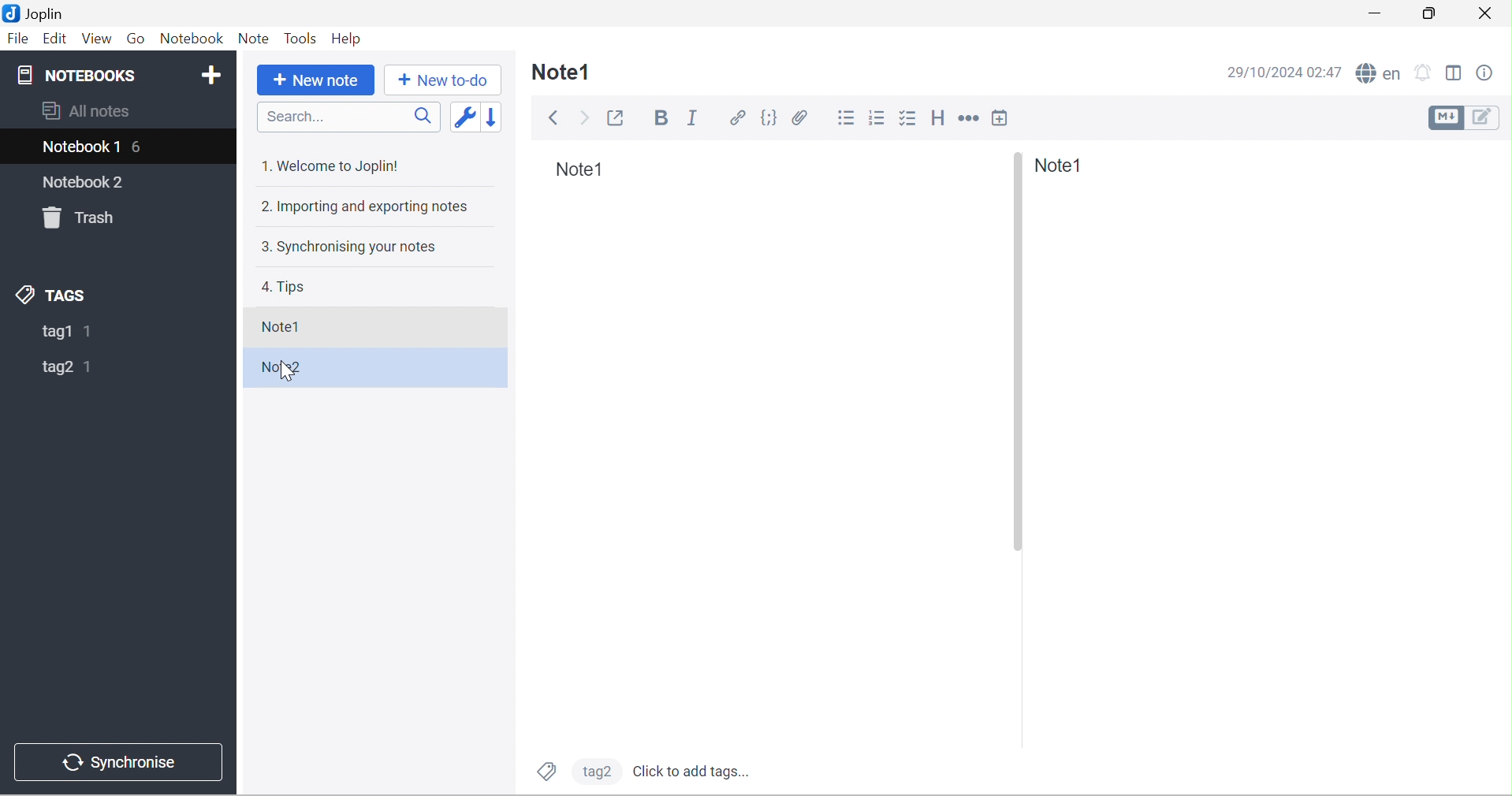 The width and height of the screenshot is (1512, 796). What do you see at coordinates (352, 40) in the screenshot?
I see `Help` at bounding box center [352, 40].